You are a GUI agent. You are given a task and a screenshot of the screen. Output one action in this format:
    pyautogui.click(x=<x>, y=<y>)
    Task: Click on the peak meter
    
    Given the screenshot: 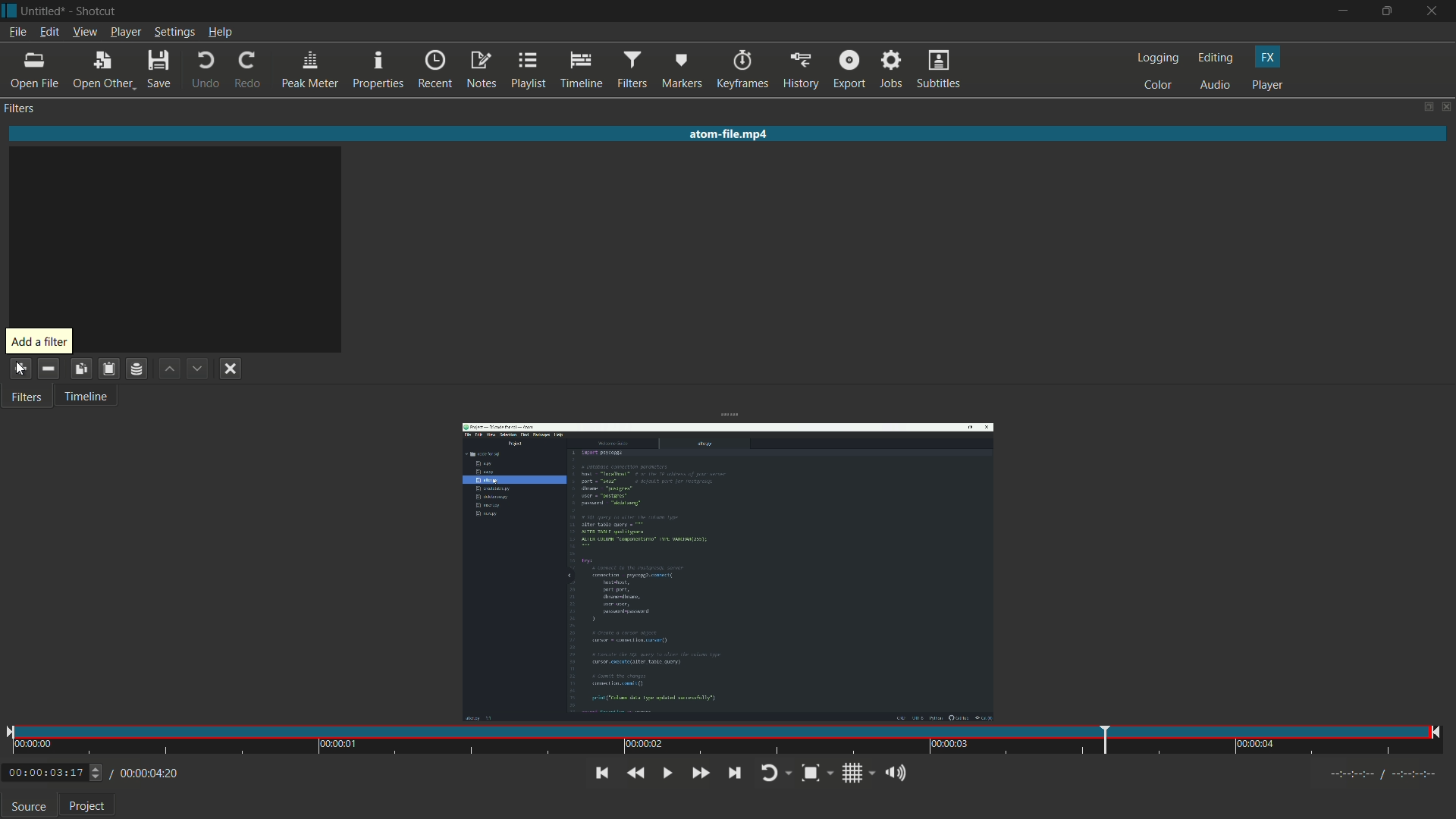 What is the action you would take?
    pyautogui.click(x=310, y=71)
    